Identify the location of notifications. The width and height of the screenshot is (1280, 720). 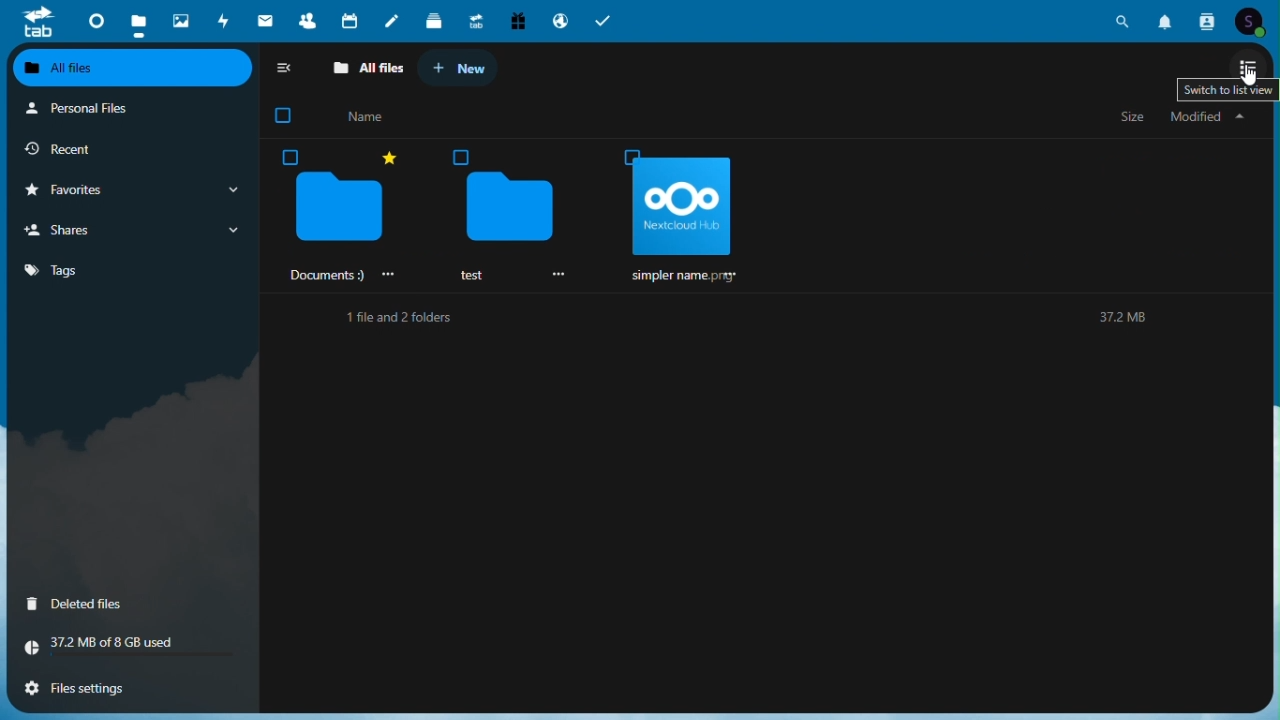
(1167, 22).